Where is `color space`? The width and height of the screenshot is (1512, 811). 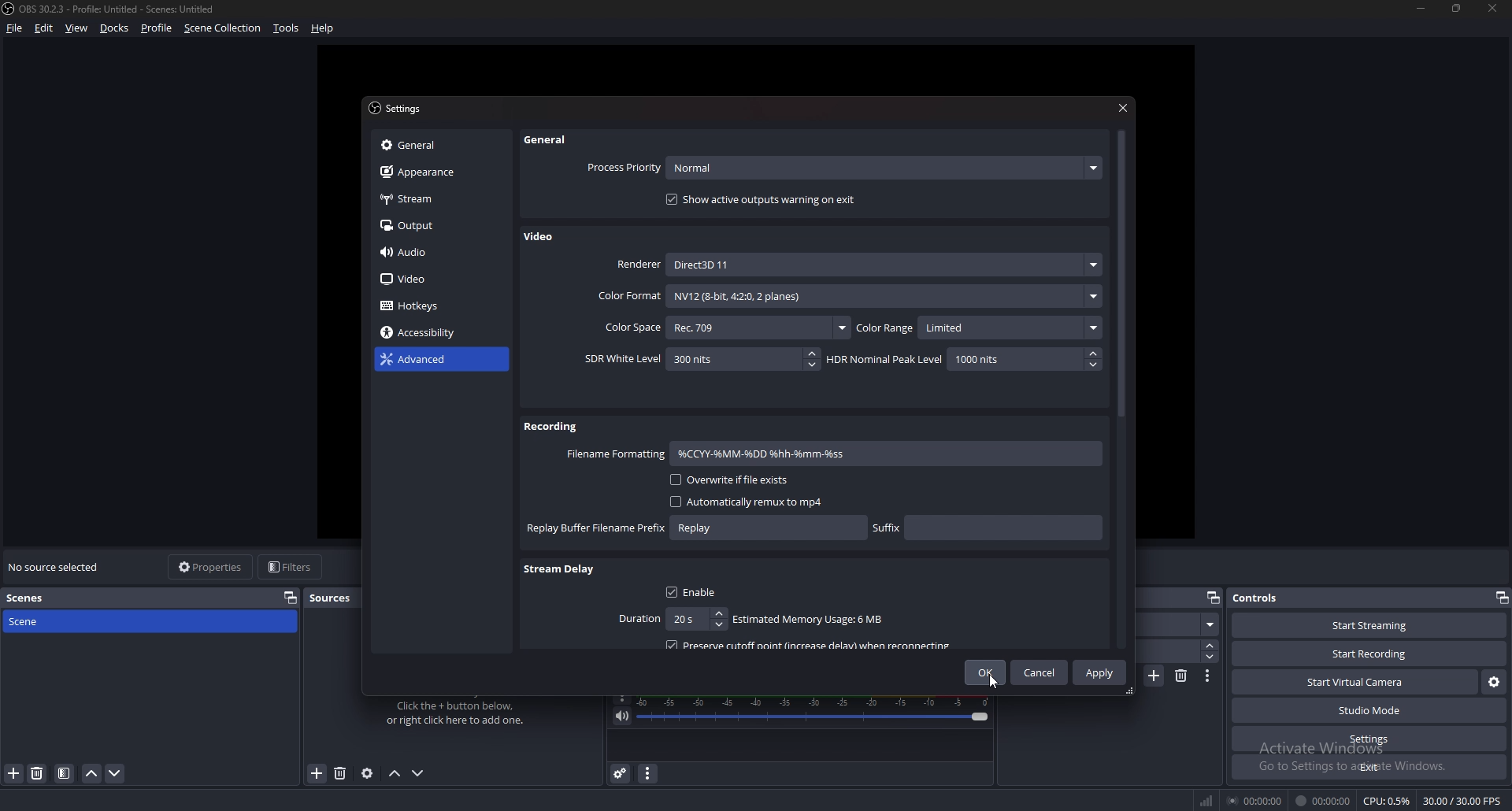 color space is located at coordinates (725, 327).